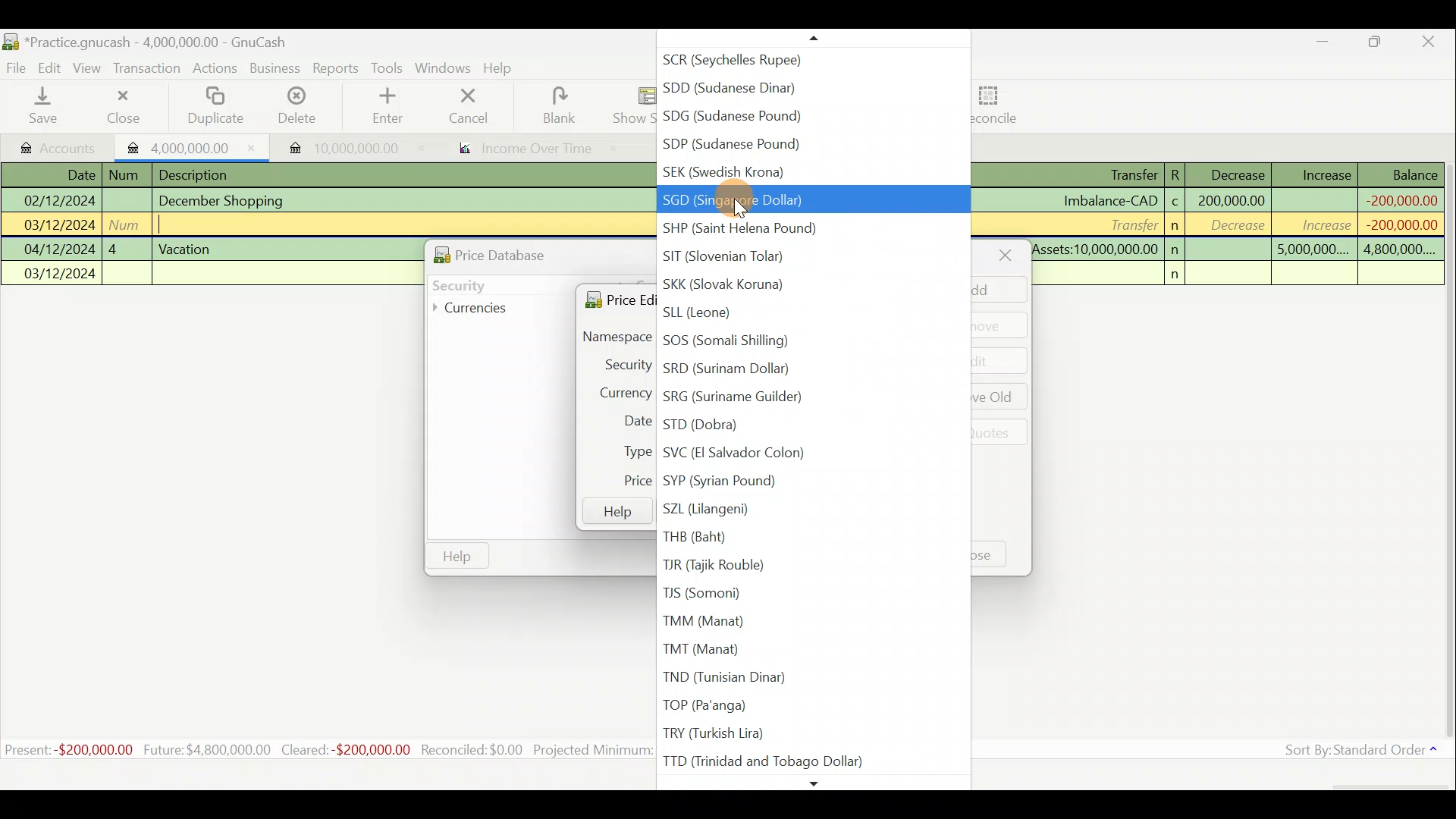 Image resolution: width=1456 pixels, height=819 pixels. Describe the element at coordinates (556, 105) in the screenshot. I see `Blank` at that location.